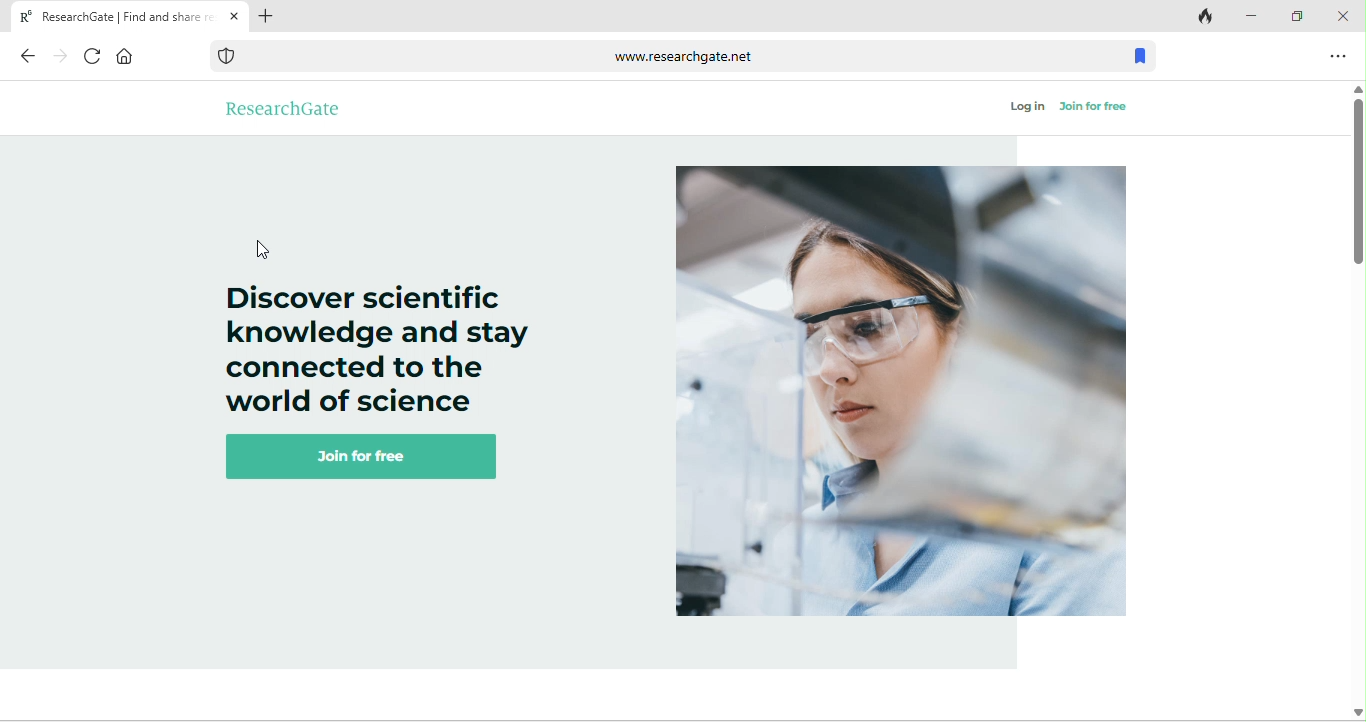 Image resolution: width=1366 pixels, height=722 pixels. What do you see at coordinates (274, 17) in the screenshot?
I see `add tab` at bounding box center [274, 17].